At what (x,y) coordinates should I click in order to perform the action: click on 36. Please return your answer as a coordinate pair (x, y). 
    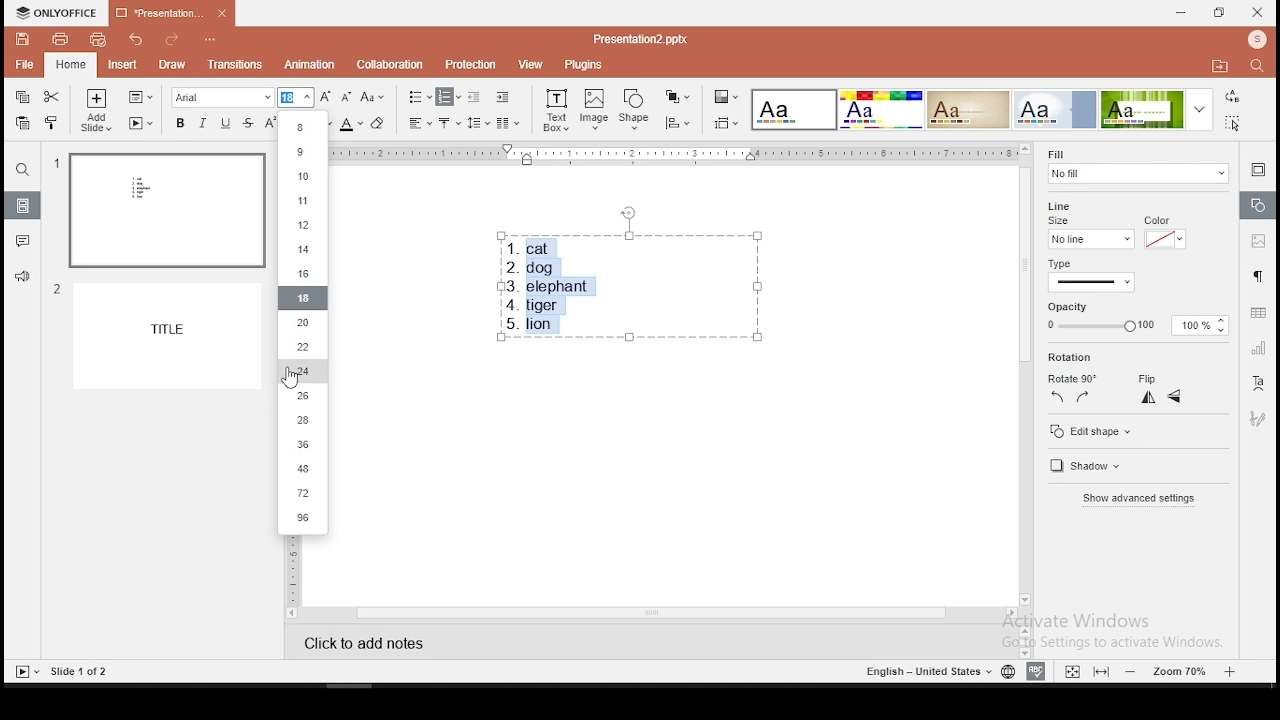
    Looking at the image, I should click on (302, 446).